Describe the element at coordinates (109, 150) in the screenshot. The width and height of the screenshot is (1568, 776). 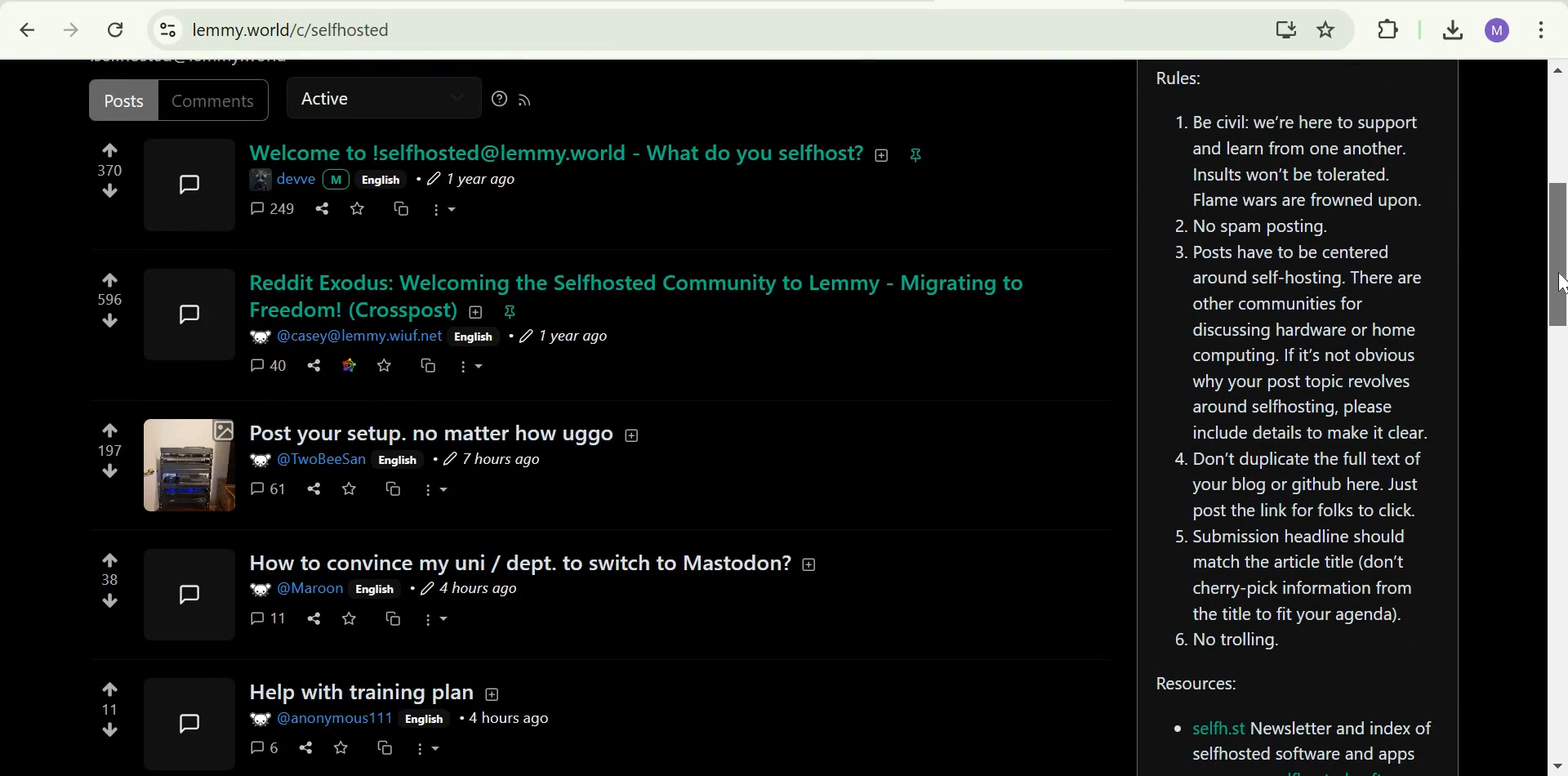
I see `upvote` at that location.